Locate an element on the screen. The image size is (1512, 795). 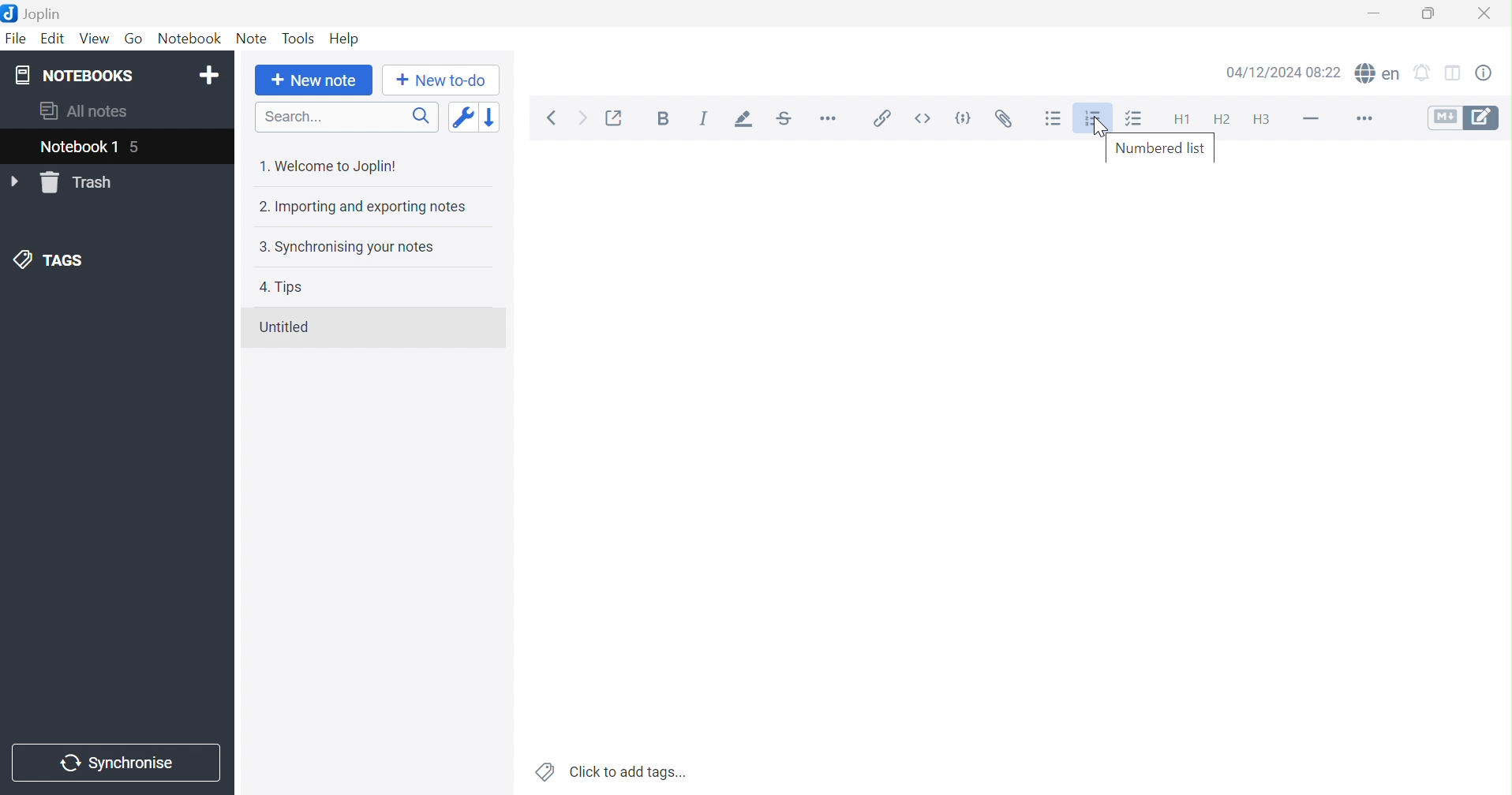
Back is located at coordinates (556, 118).